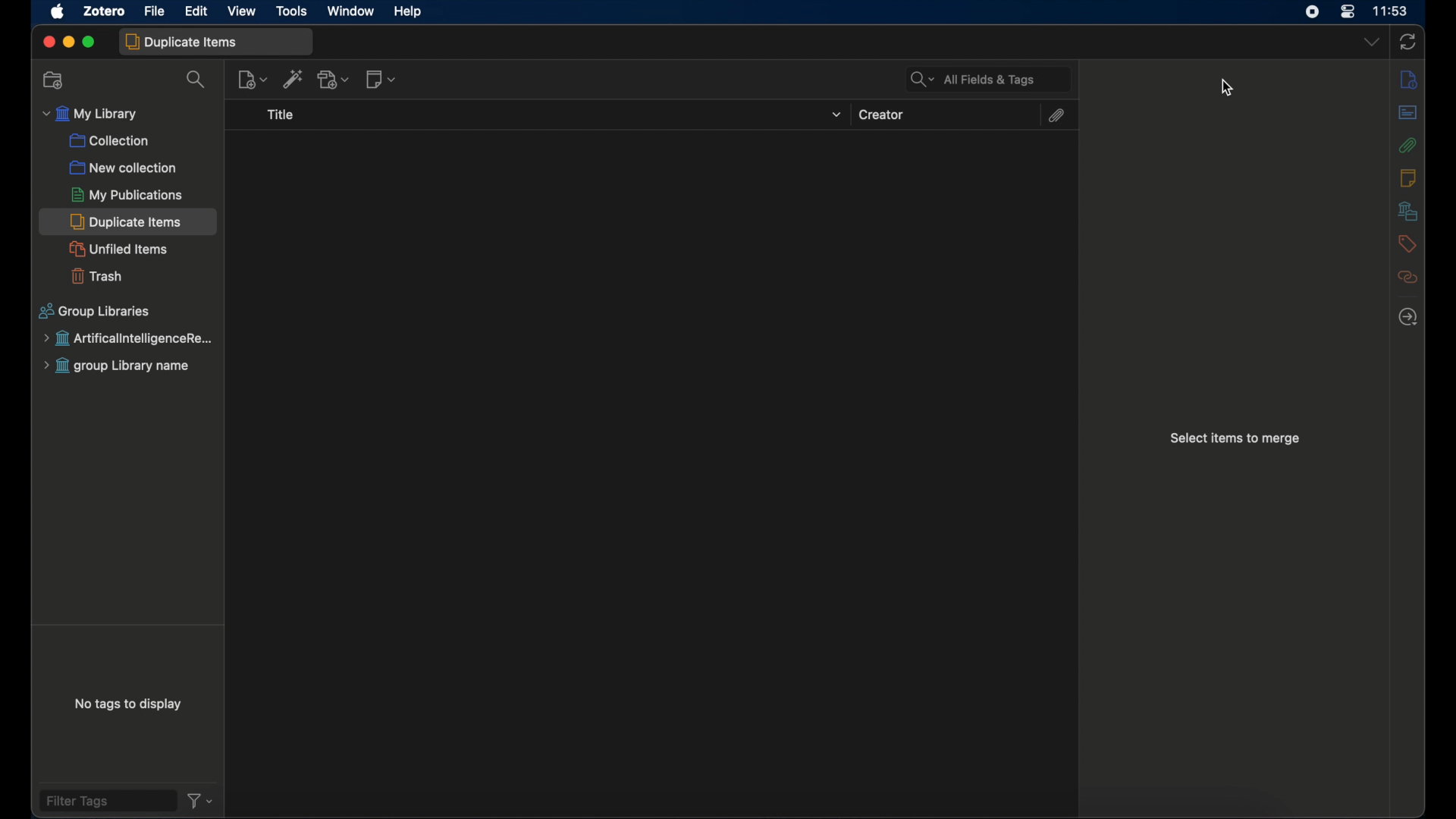 The width and height of the screenshot is (1456, 819). Describe the element at coordinates (200, 802) in the screenshot. I see `filter` at that location.